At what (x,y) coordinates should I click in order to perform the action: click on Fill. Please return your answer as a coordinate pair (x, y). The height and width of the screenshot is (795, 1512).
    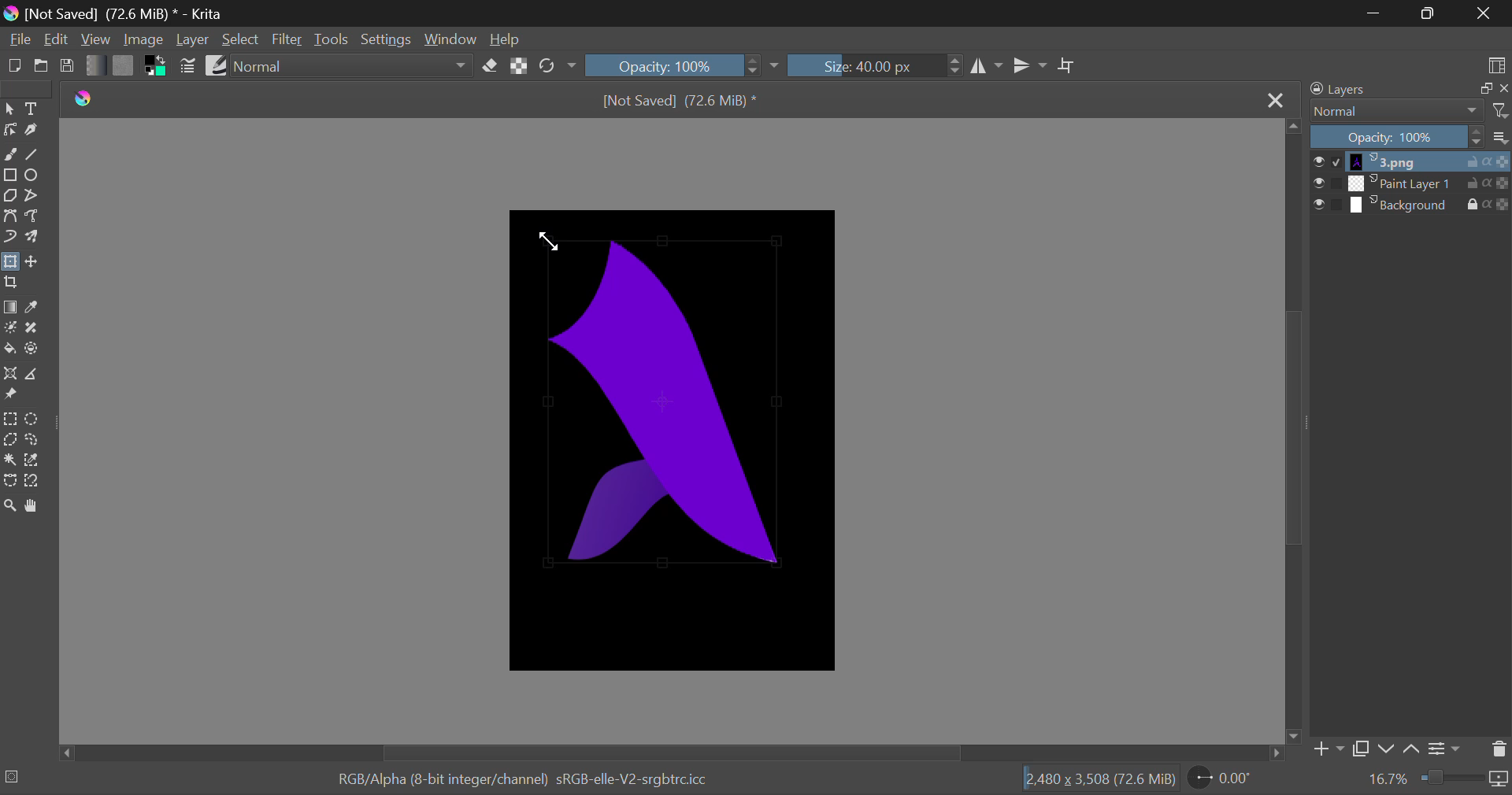
    Looking at the image, I should click on (10, 352).